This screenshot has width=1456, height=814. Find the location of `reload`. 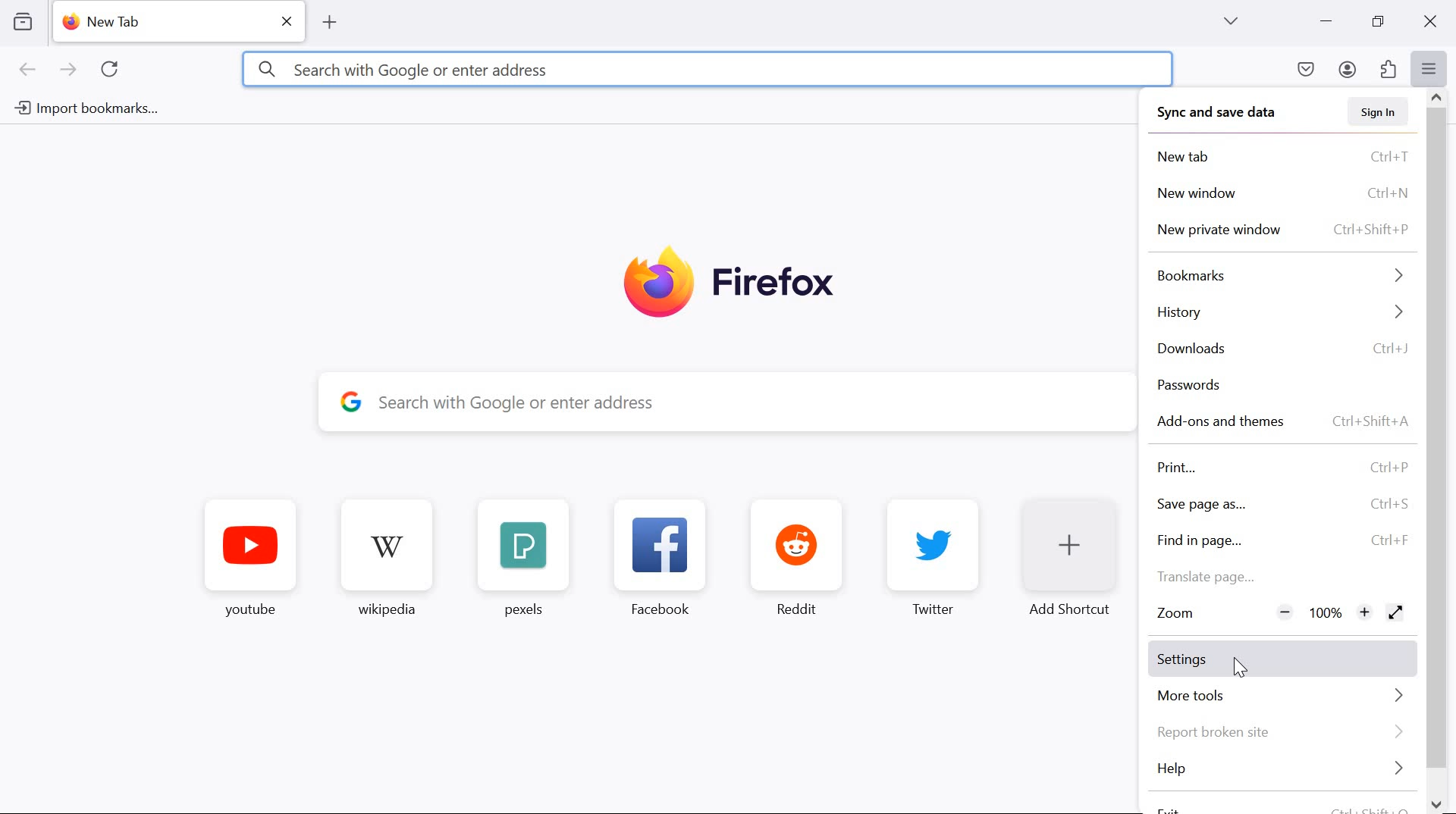

reload is located at coordinates (109, 68).